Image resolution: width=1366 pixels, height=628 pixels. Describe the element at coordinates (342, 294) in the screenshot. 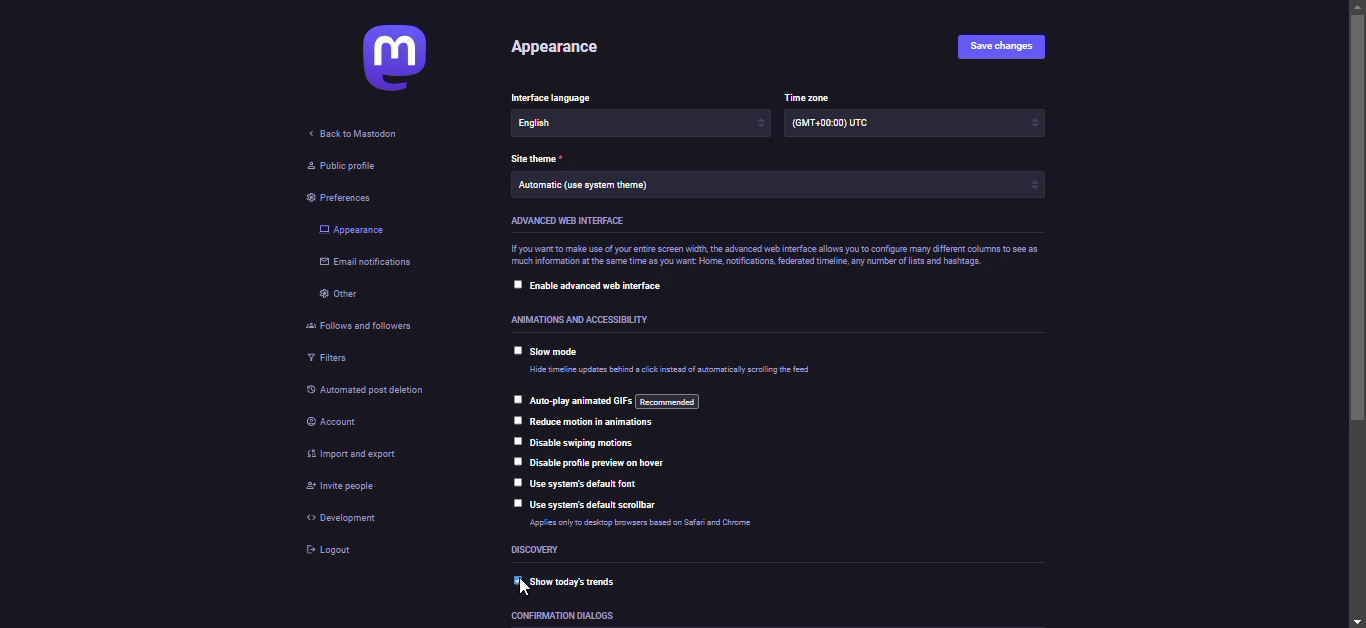

I see `other` at that location.